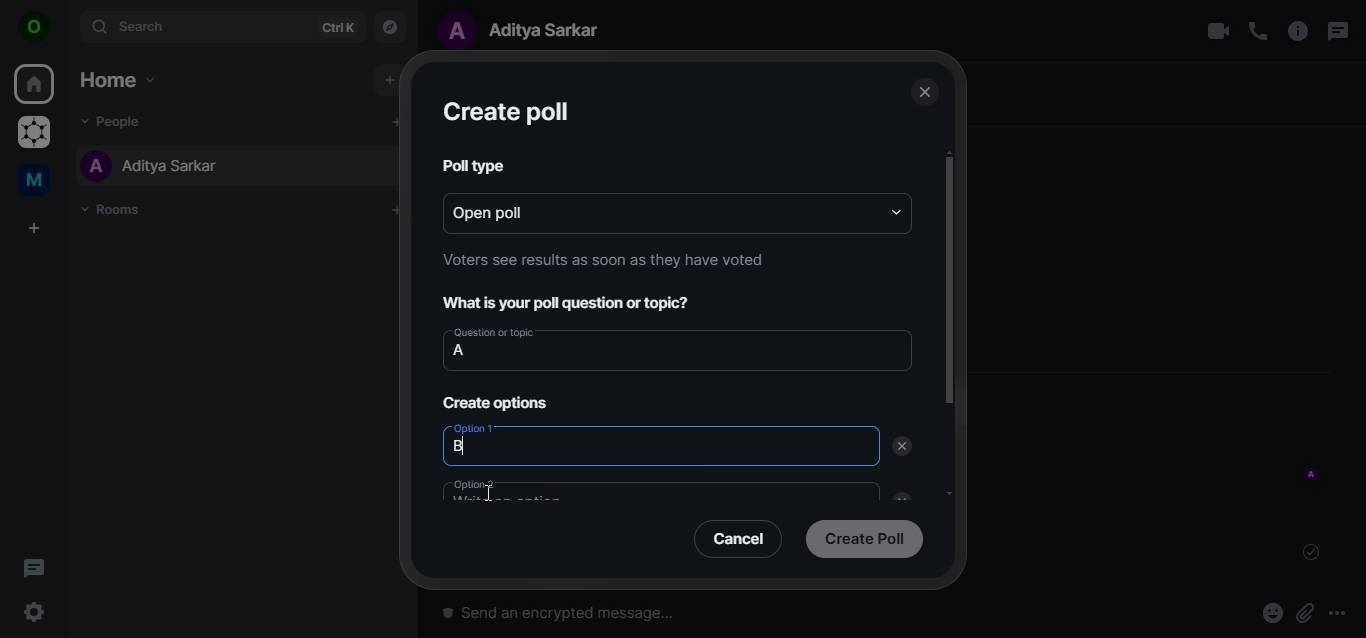  Describe the element at coordinates (511, 446) in the screenshot. I see `option1` at that location.